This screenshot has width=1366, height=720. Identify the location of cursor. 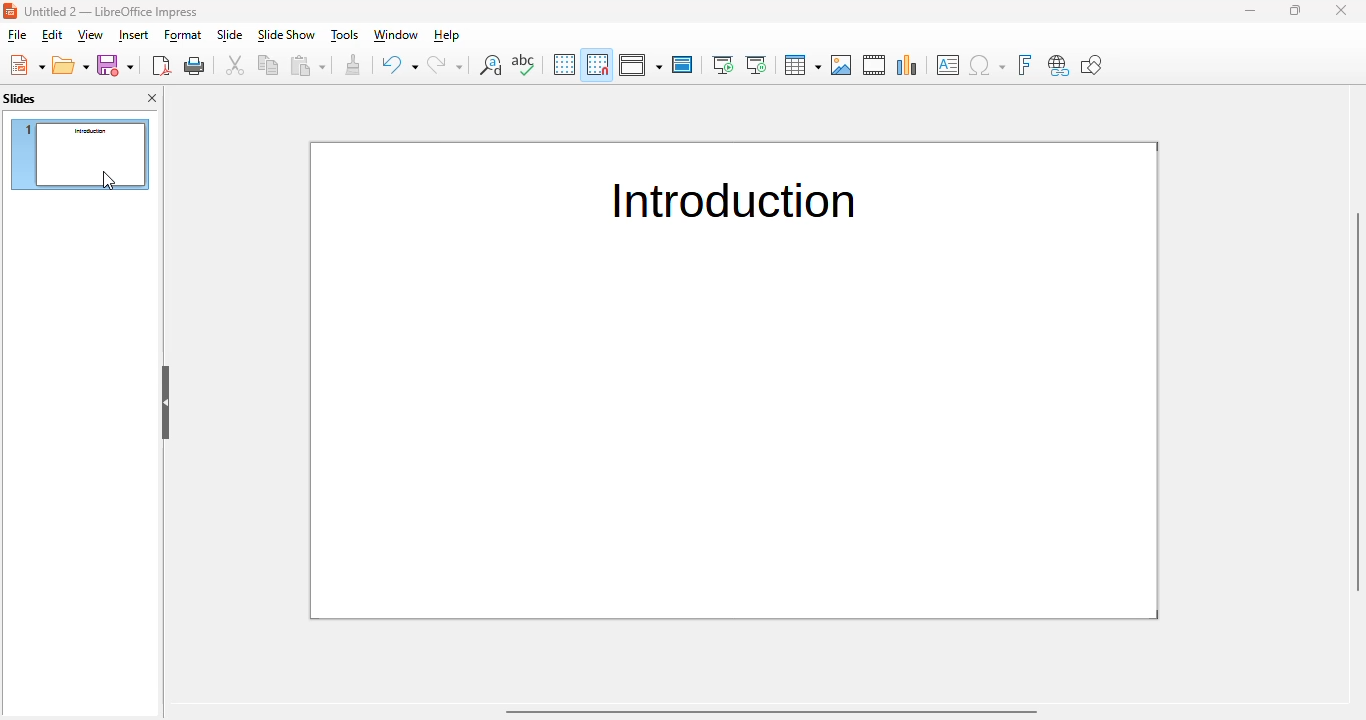
(107, 179).